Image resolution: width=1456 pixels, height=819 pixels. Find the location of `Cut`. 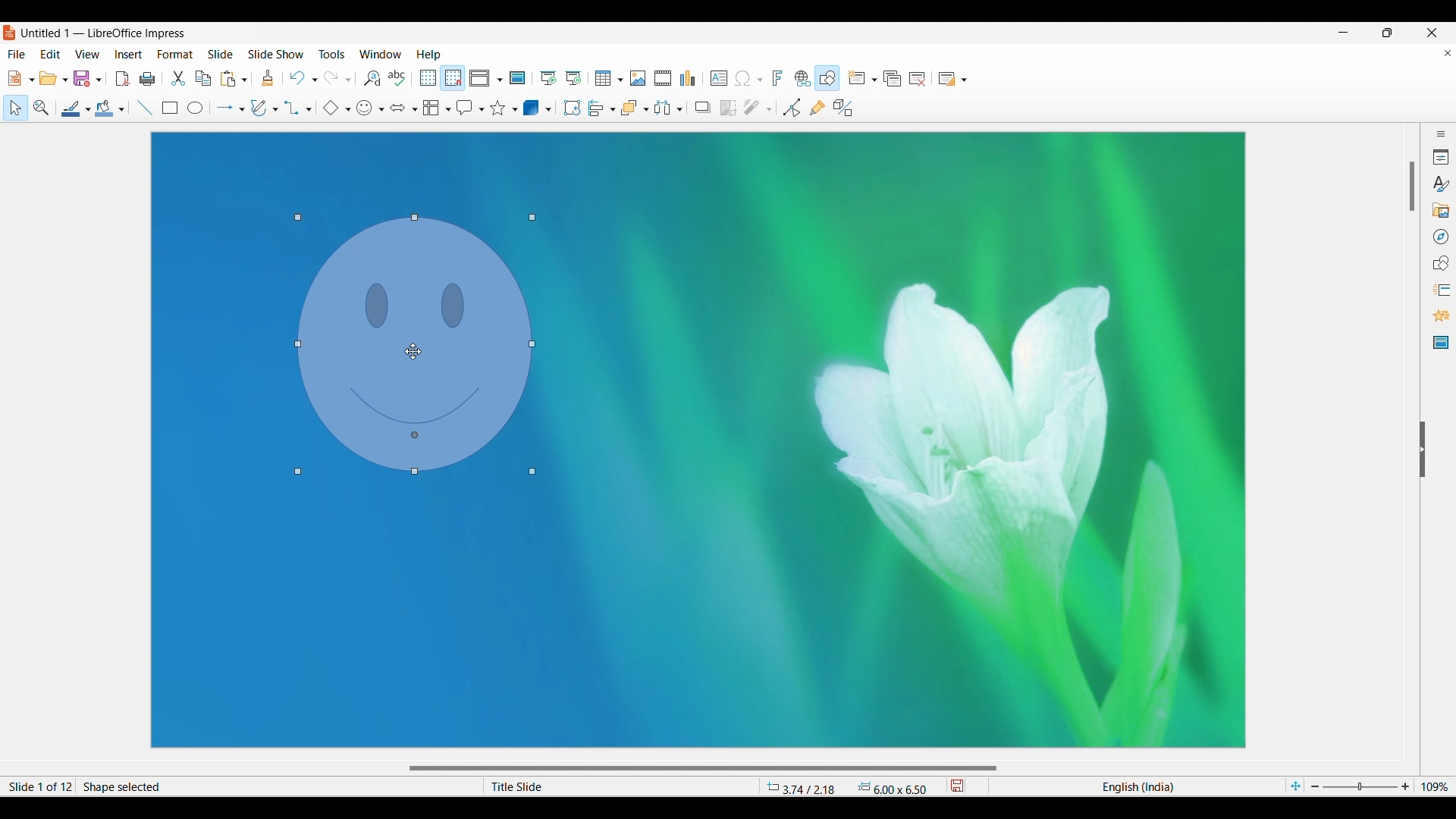

Cut is located at coordinates (178, 78).